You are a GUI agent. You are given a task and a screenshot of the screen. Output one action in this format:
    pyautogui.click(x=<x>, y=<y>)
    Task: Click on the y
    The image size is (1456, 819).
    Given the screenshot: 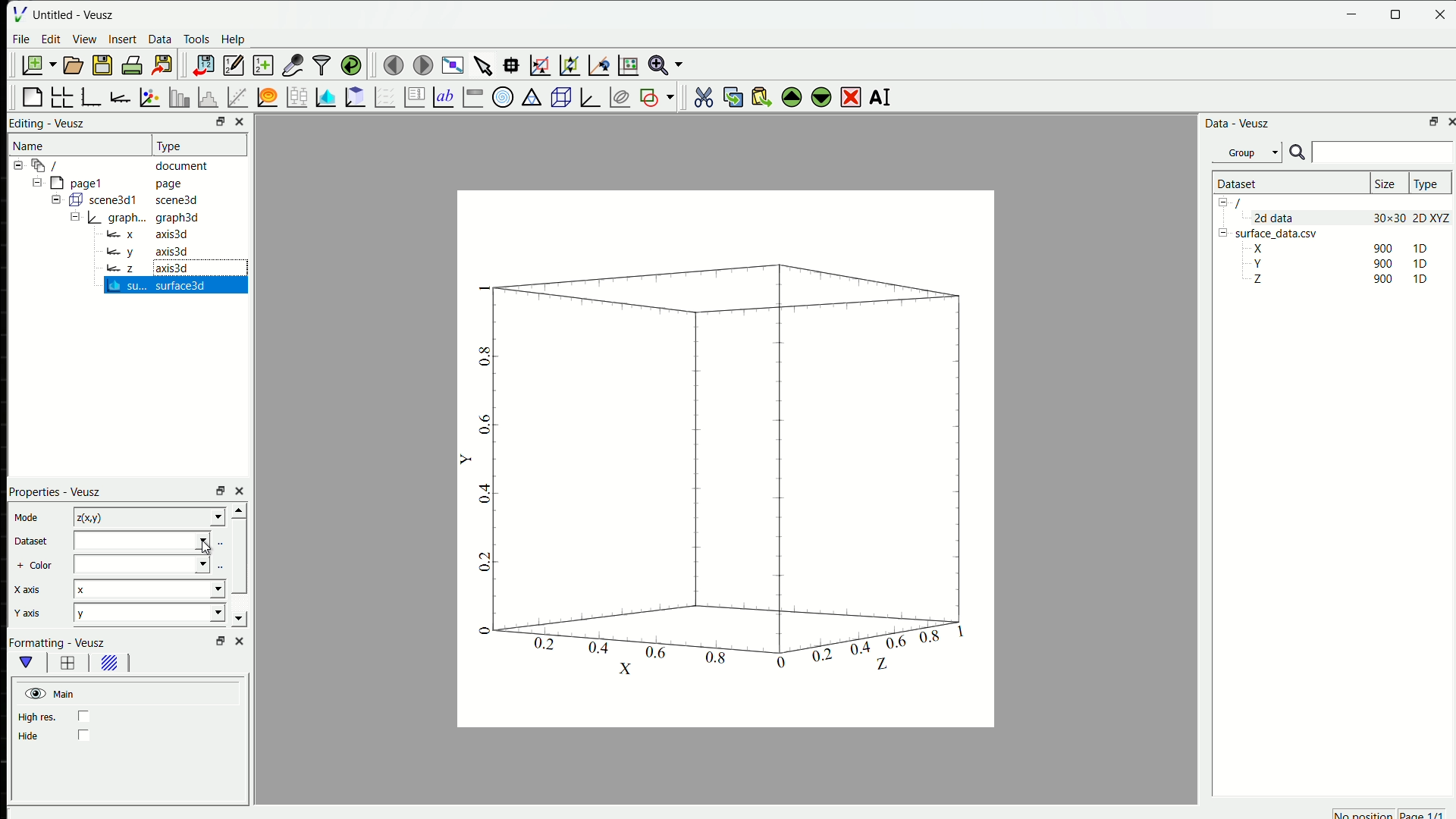 What is the action you would take?
    pyautogui.click(x=139, y=612)
    